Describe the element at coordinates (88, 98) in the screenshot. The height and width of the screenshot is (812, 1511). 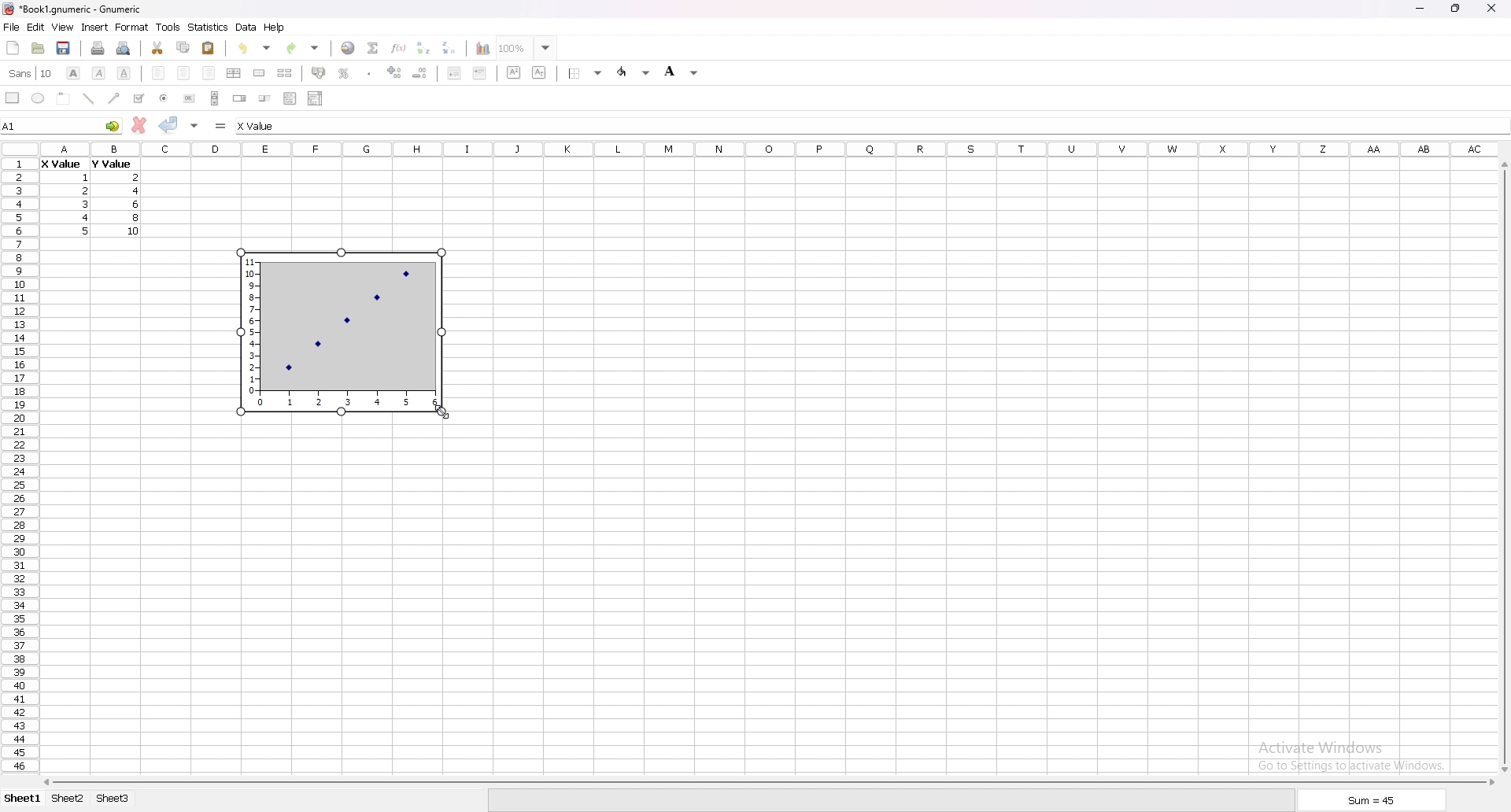
I see `line` at that location.